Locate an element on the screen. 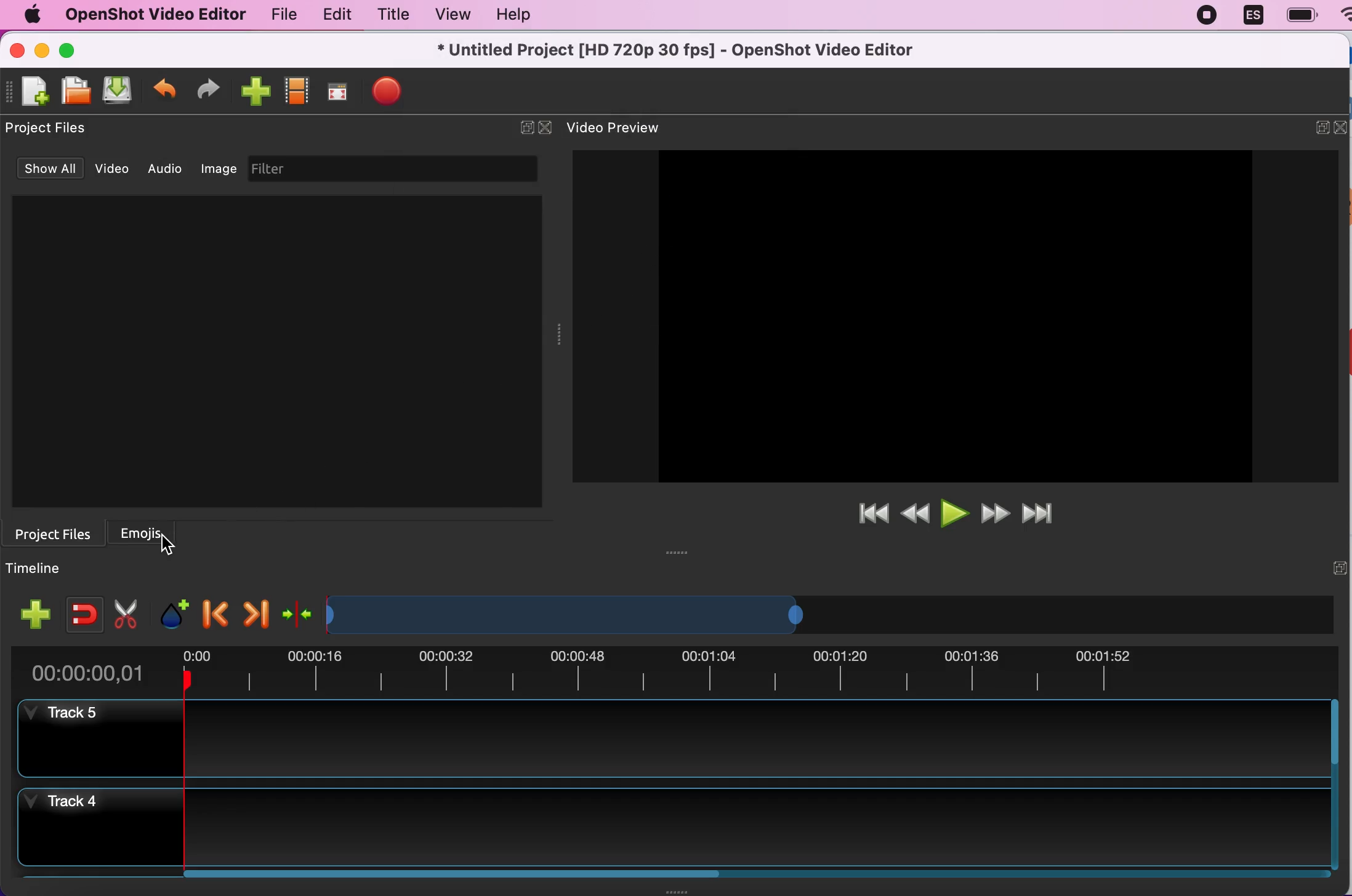 Image resolution: width=1352 pixels, height=896 pixels. new file is located at coordinates (29, 97).